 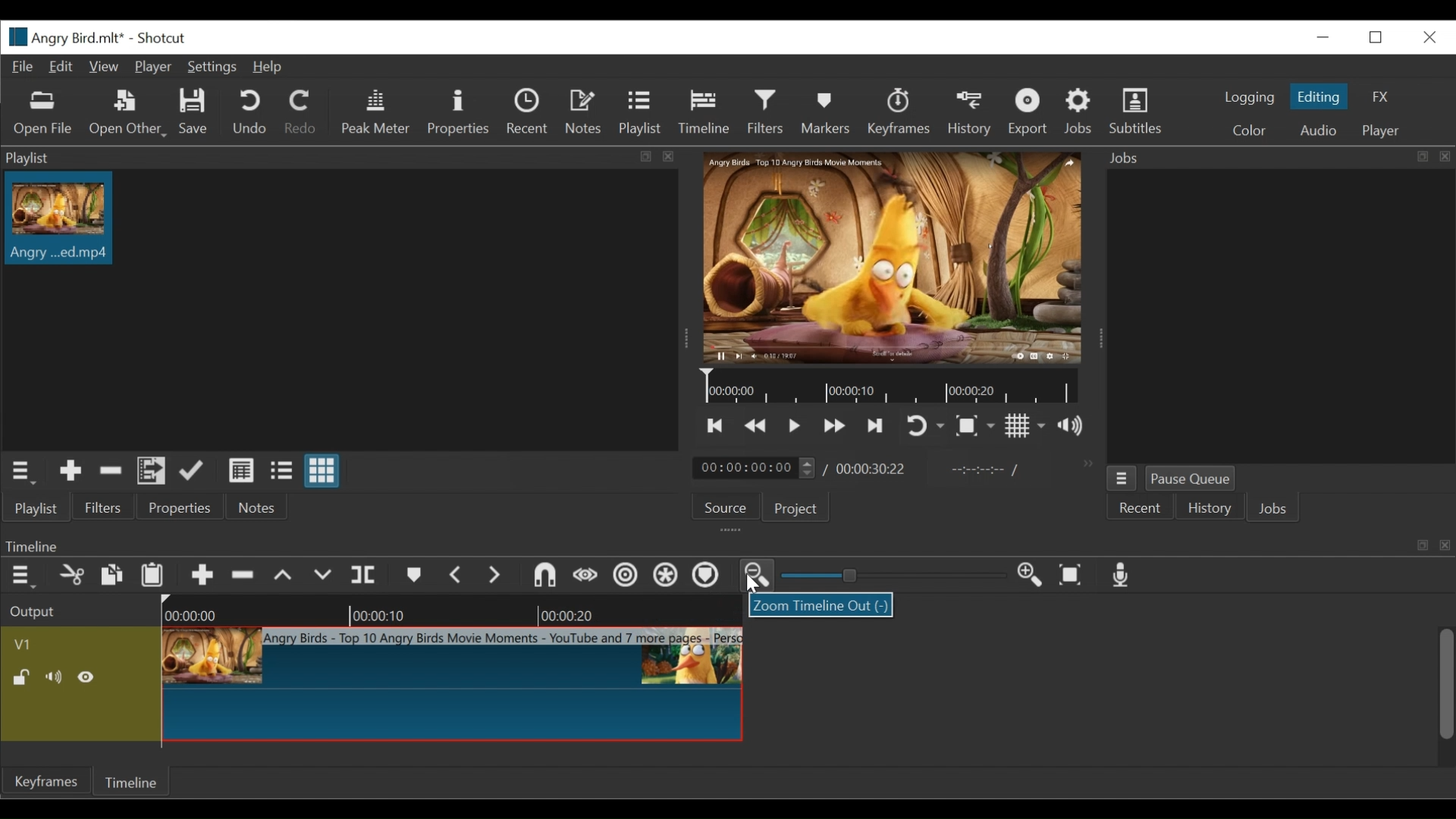 I want to click on Remove cut, so click(x=111, y=472).